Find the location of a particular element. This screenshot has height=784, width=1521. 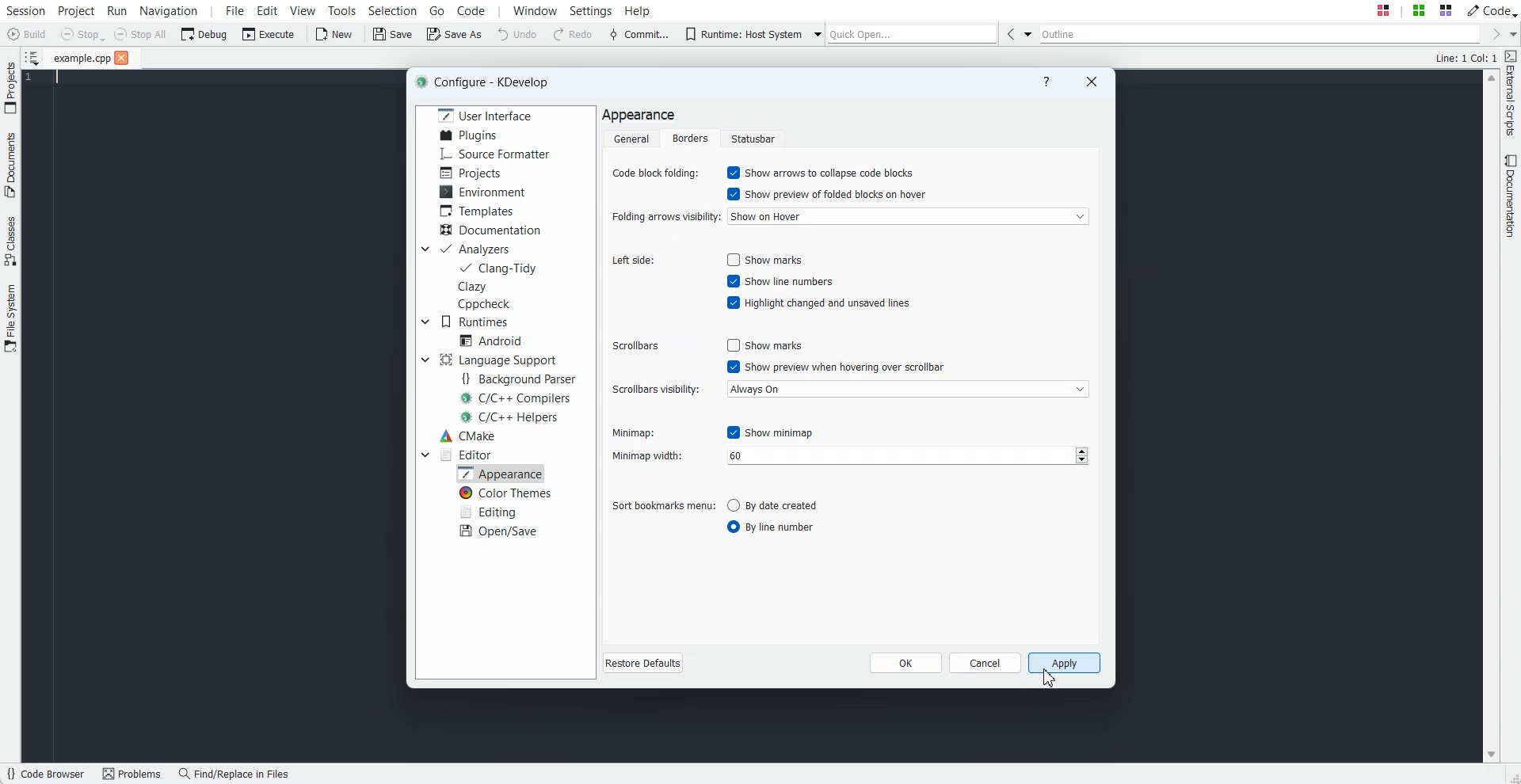

Drop down box is located at coordinates (1028, 33).